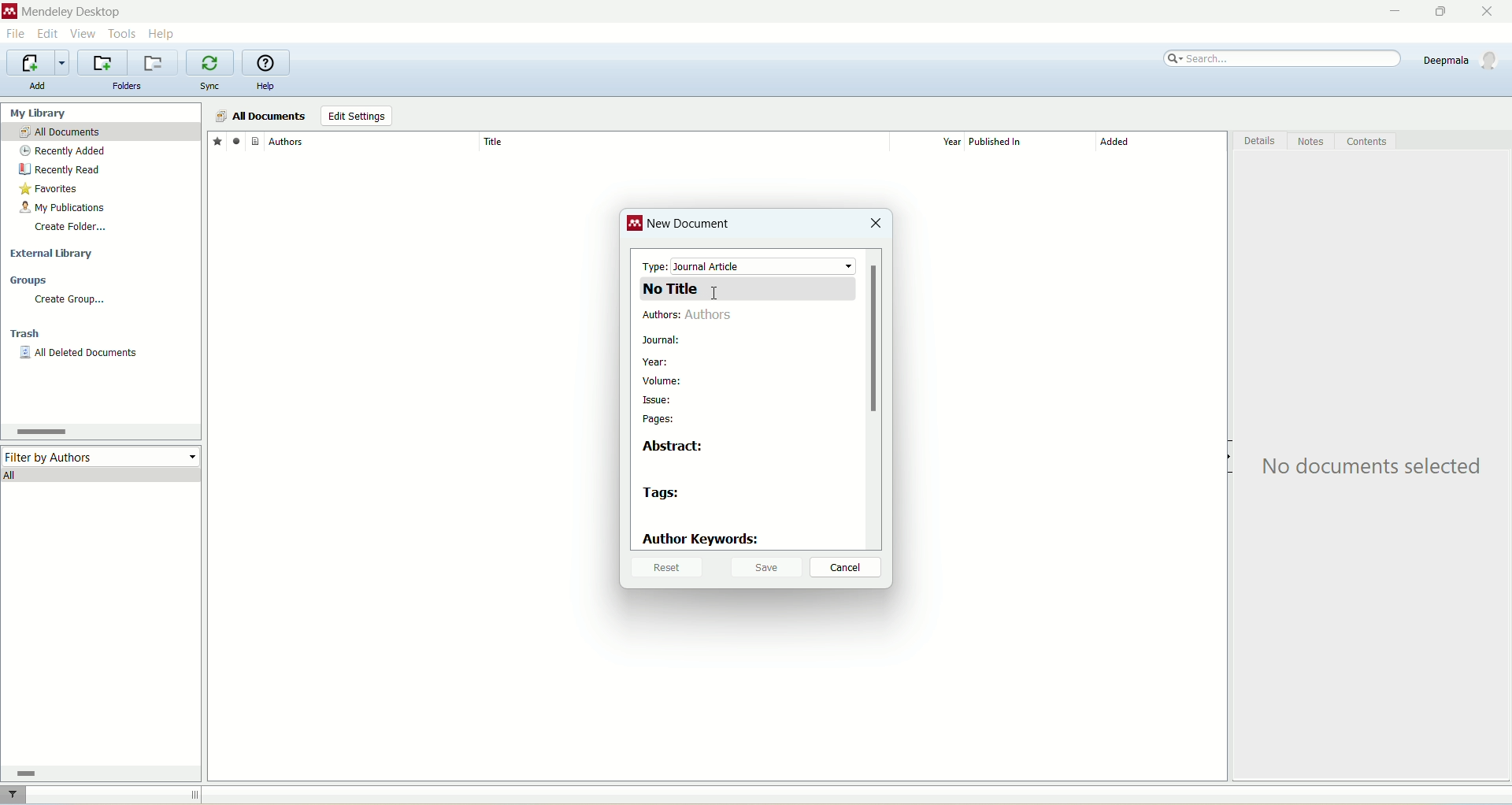 This screenshot has height=805, width=1512. Describe the element at coordinates (1376, 467) in the screenshot. I see `text` at that location.